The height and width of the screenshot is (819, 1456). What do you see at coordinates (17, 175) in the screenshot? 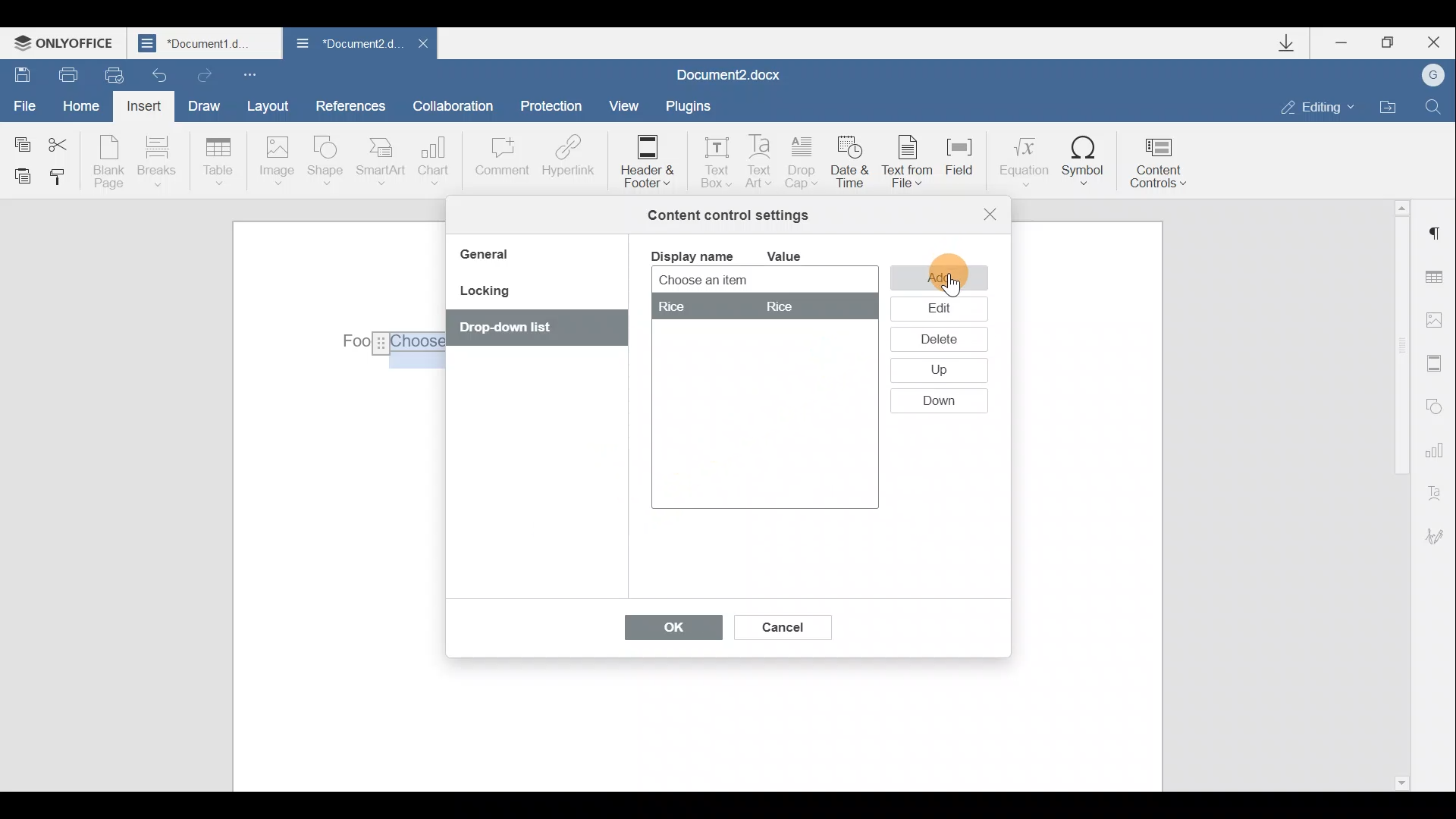
I see `Paste` at bounding box center [17, 175].